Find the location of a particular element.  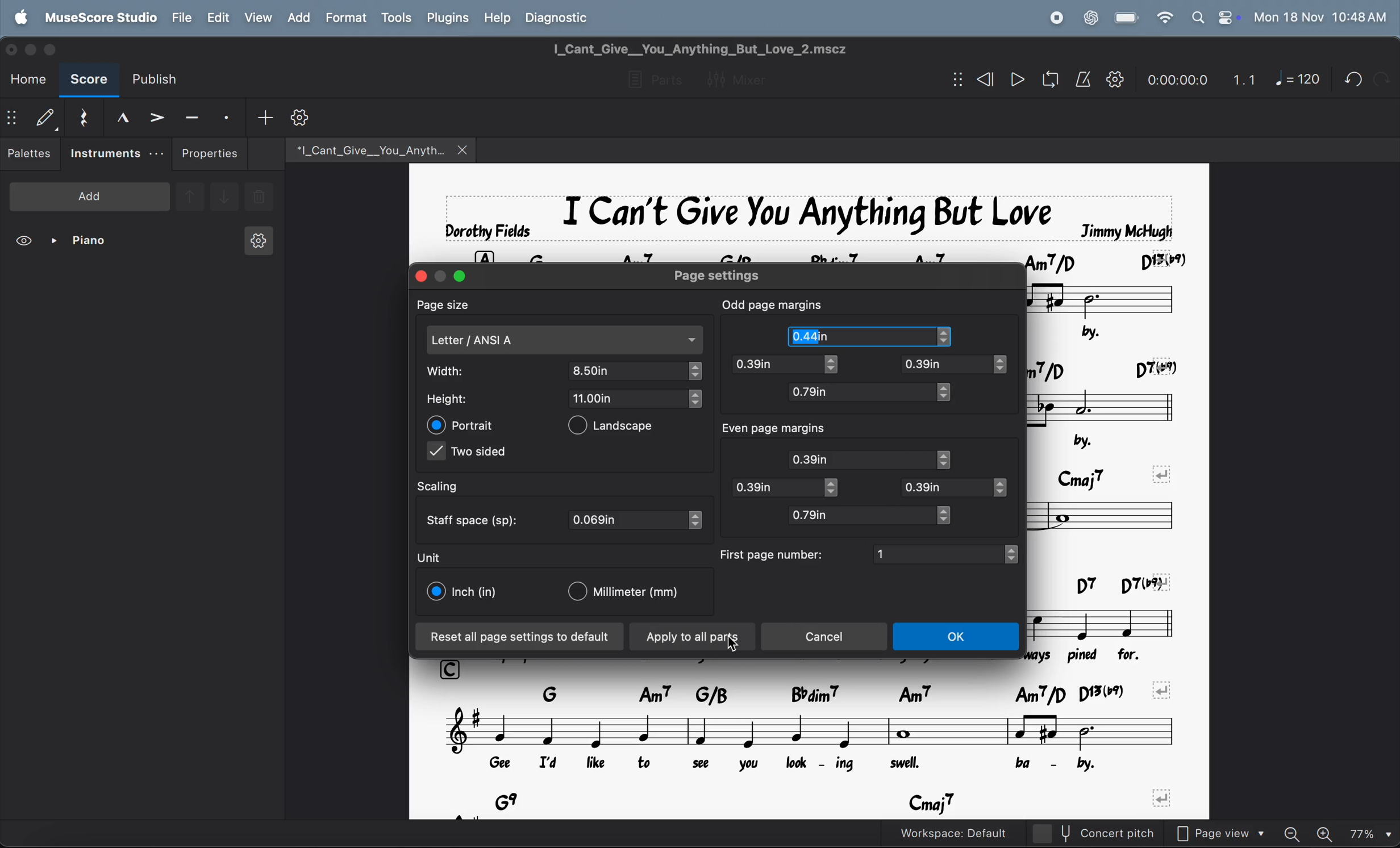

0.39 in is located at coordinates (773, 365).